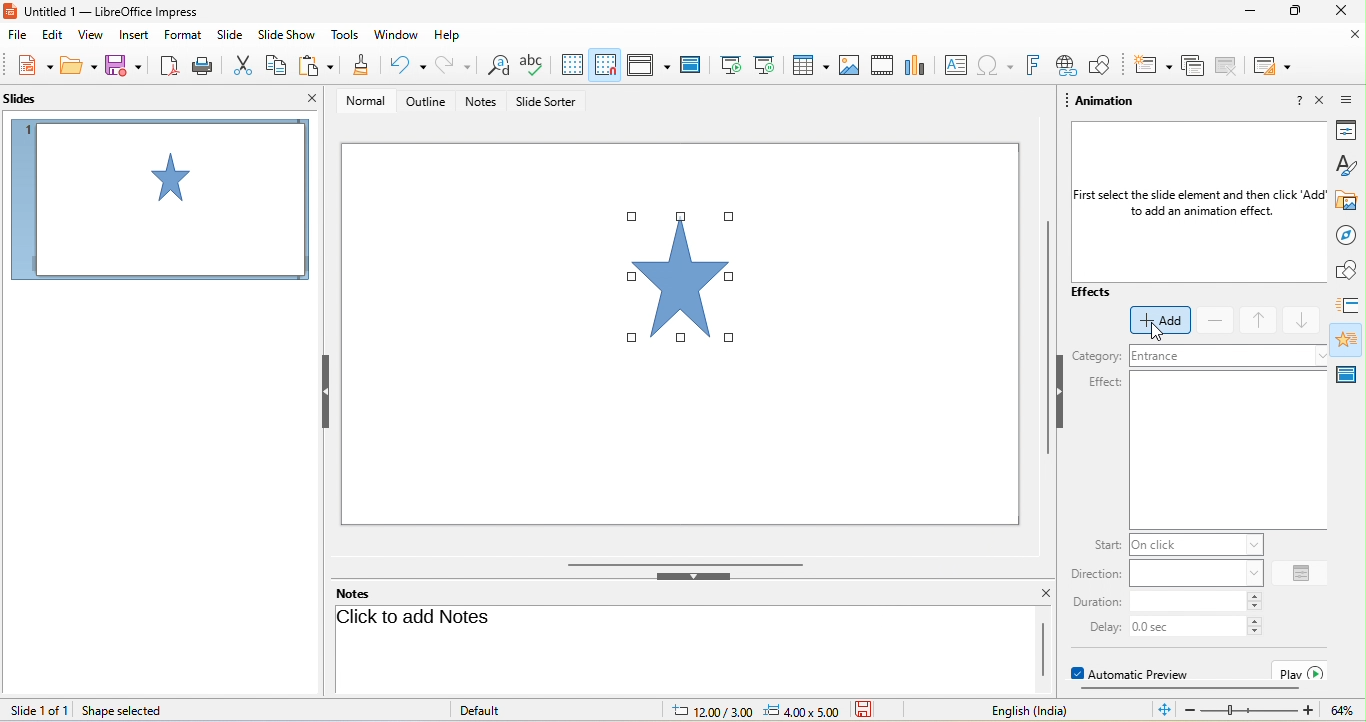 This screenshot has height=722, width=1366. What do you see at coordinates (1351, 130) in the screenshot?
I see `properties` at bounding box center [1351, 130].